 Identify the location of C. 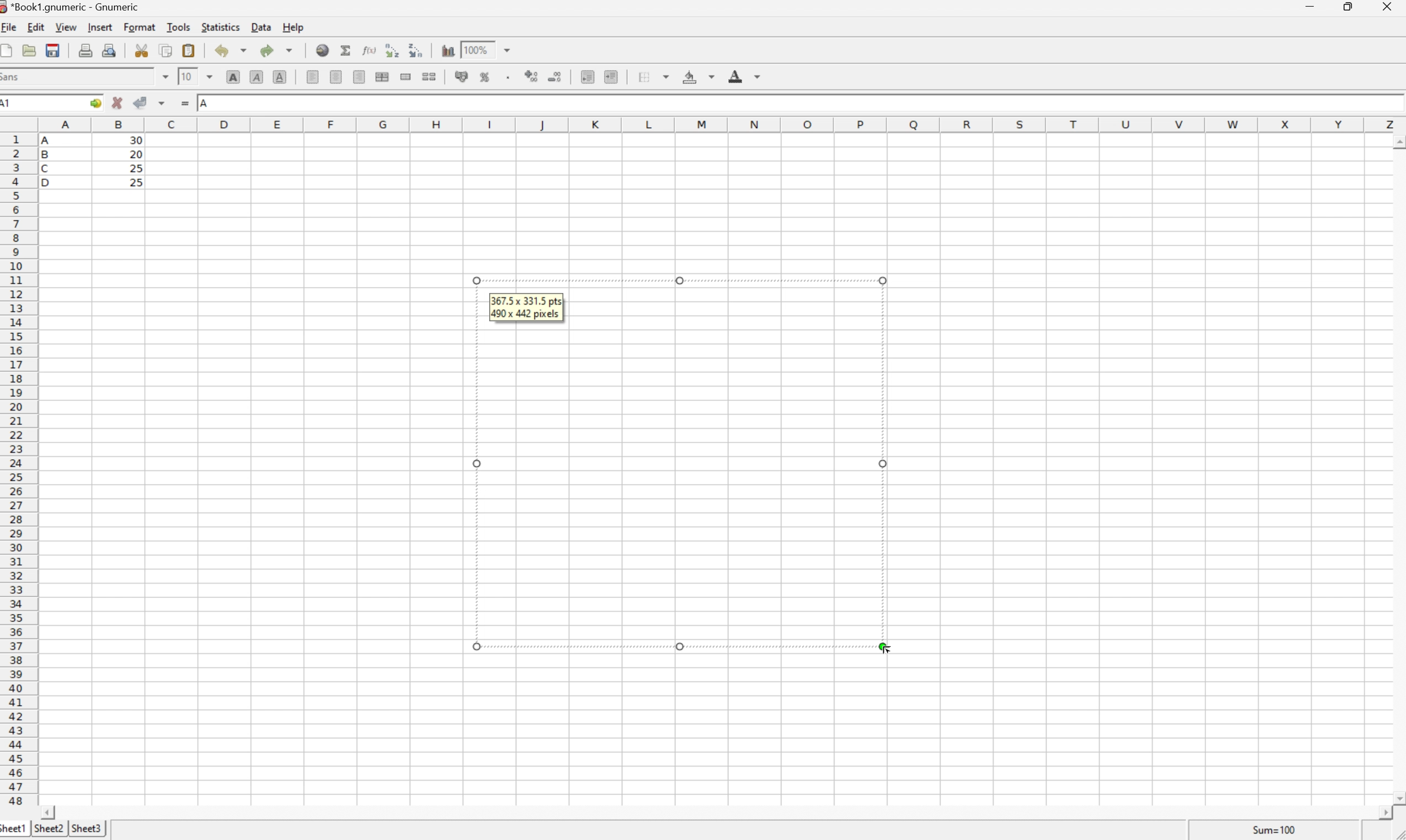
(48, 169).